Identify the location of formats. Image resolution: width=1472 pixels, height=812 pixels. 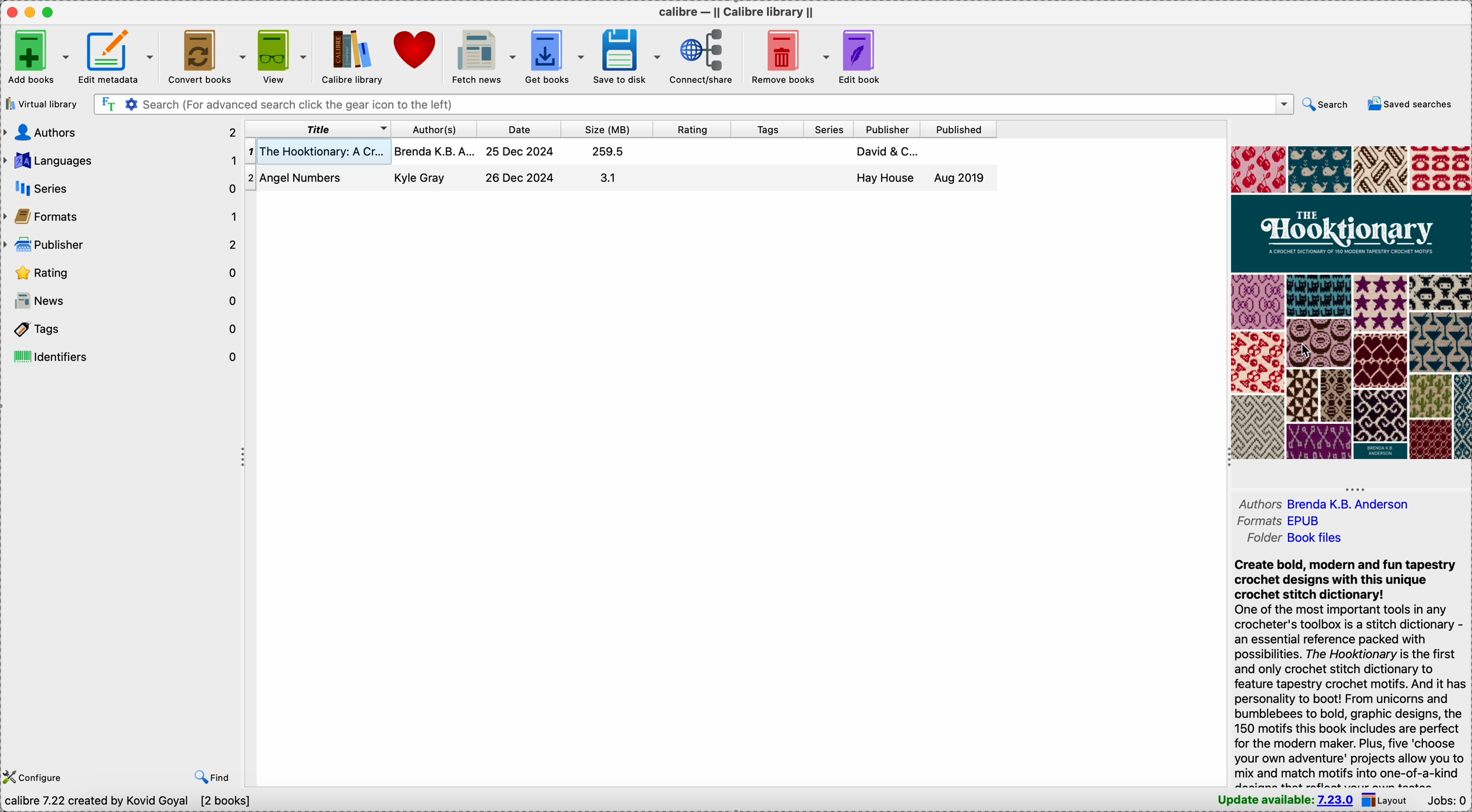
(121, 217).